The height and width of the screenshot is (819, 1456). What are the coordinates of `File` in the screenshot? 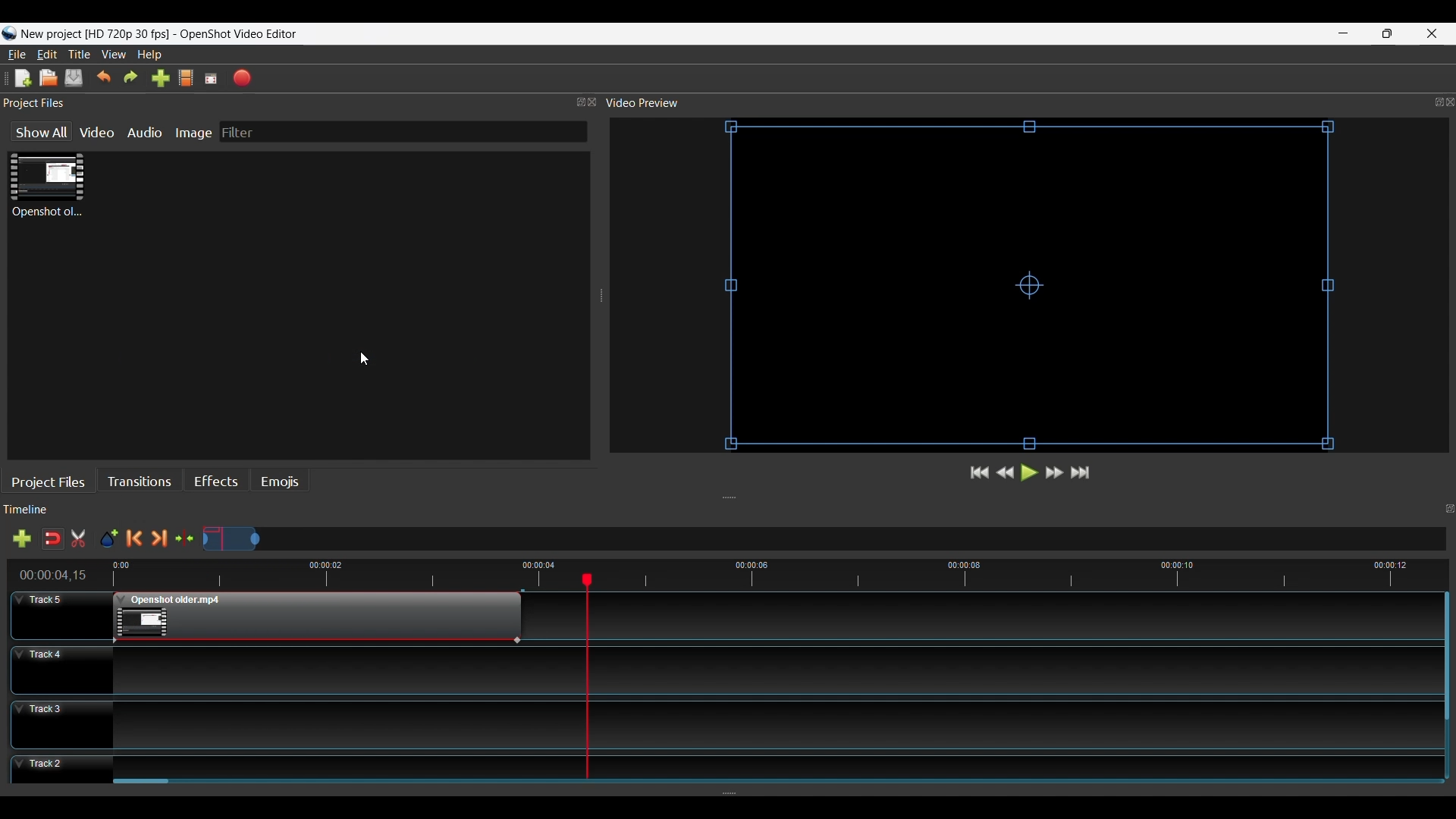 It's located at (17, 54).